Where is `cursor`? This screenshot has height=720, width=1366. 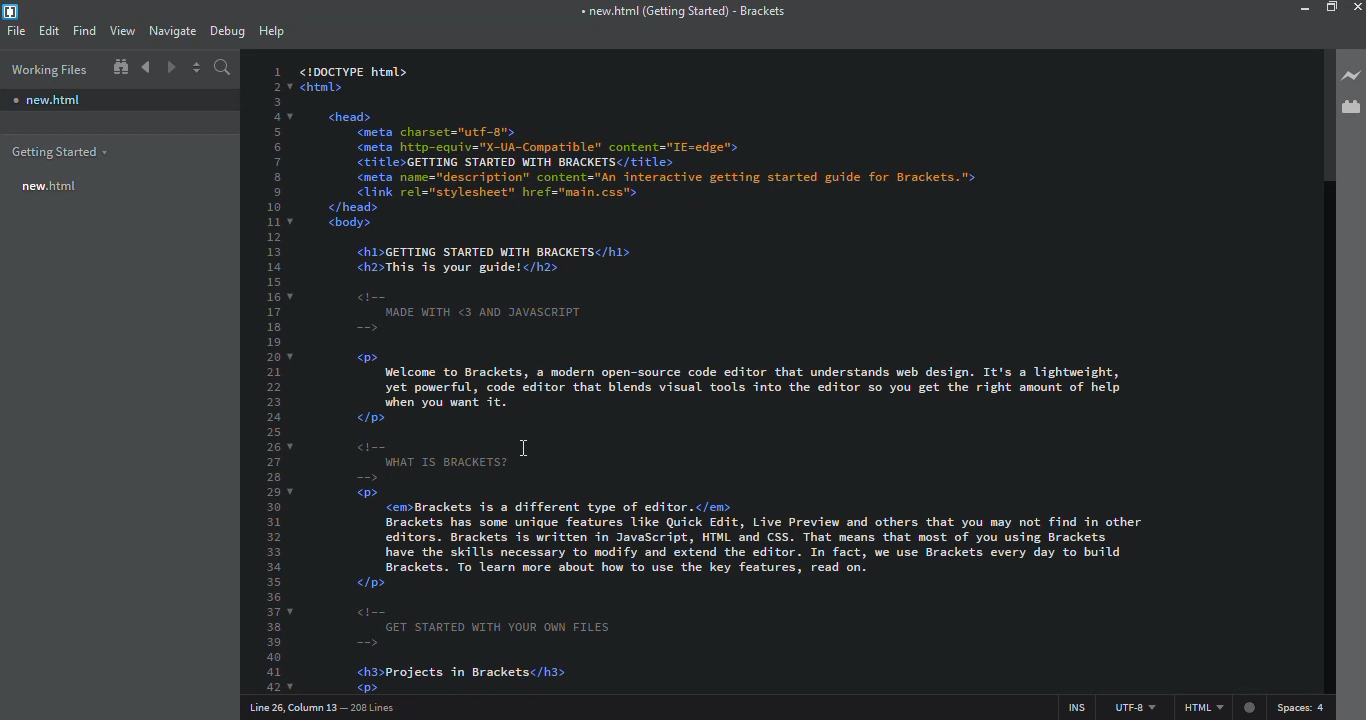 cursor is located at coordinates (526, 449).